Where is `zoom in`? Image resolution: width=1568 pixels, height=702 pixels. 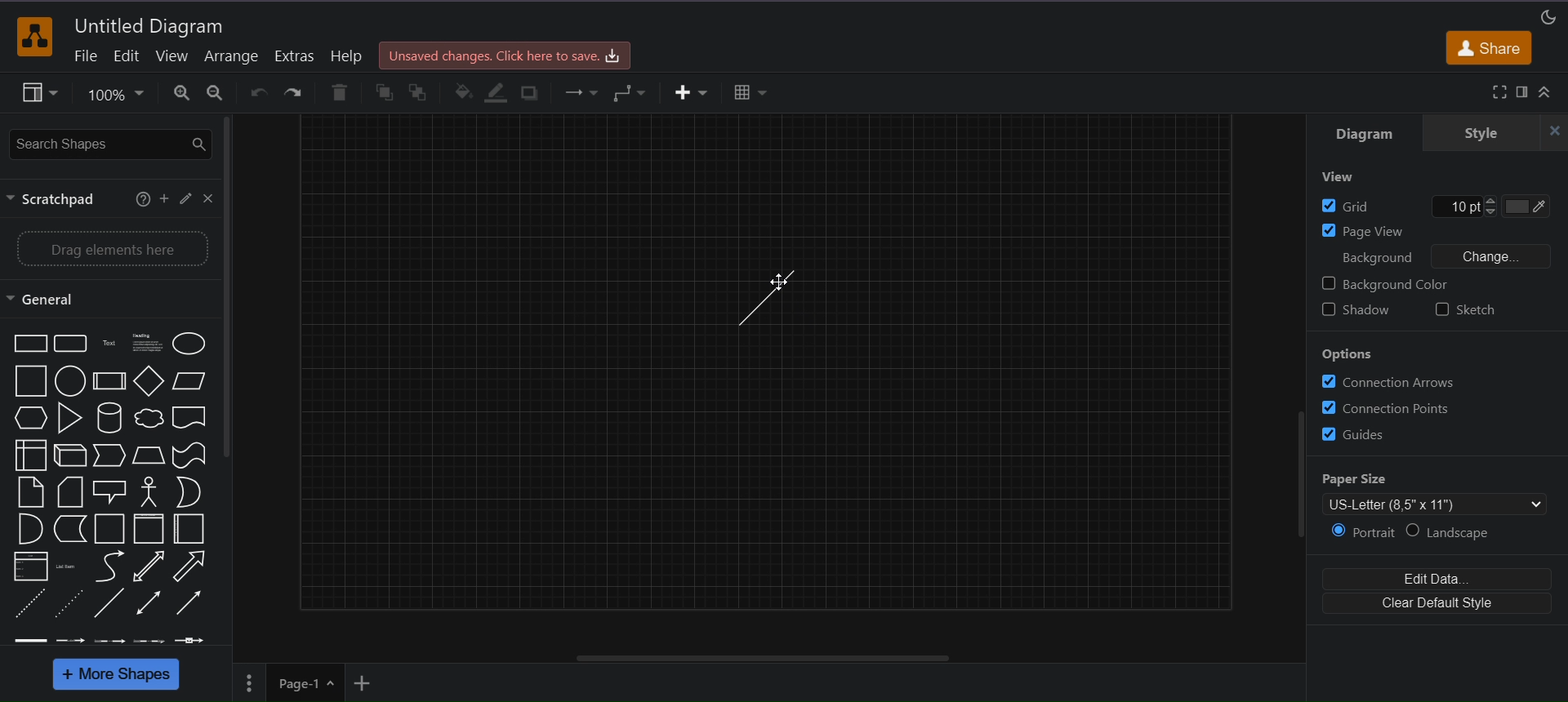
zoom in is located at coordinates (181, 94).